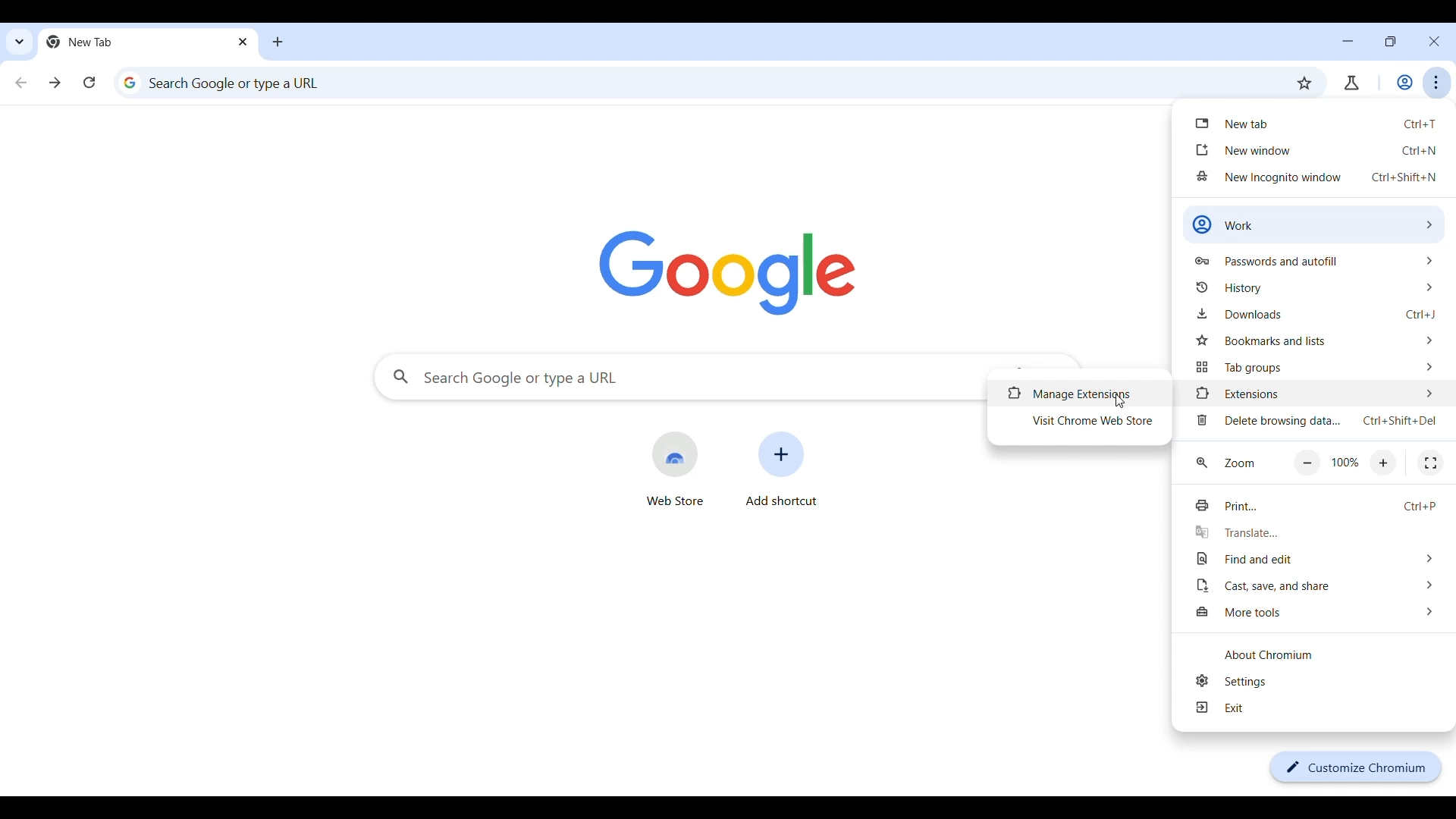 This screenshot has width=1456, height=819. Describe the element at coordinates (1317, 558) in the screenshot. I see `Find and edit options` at that location.